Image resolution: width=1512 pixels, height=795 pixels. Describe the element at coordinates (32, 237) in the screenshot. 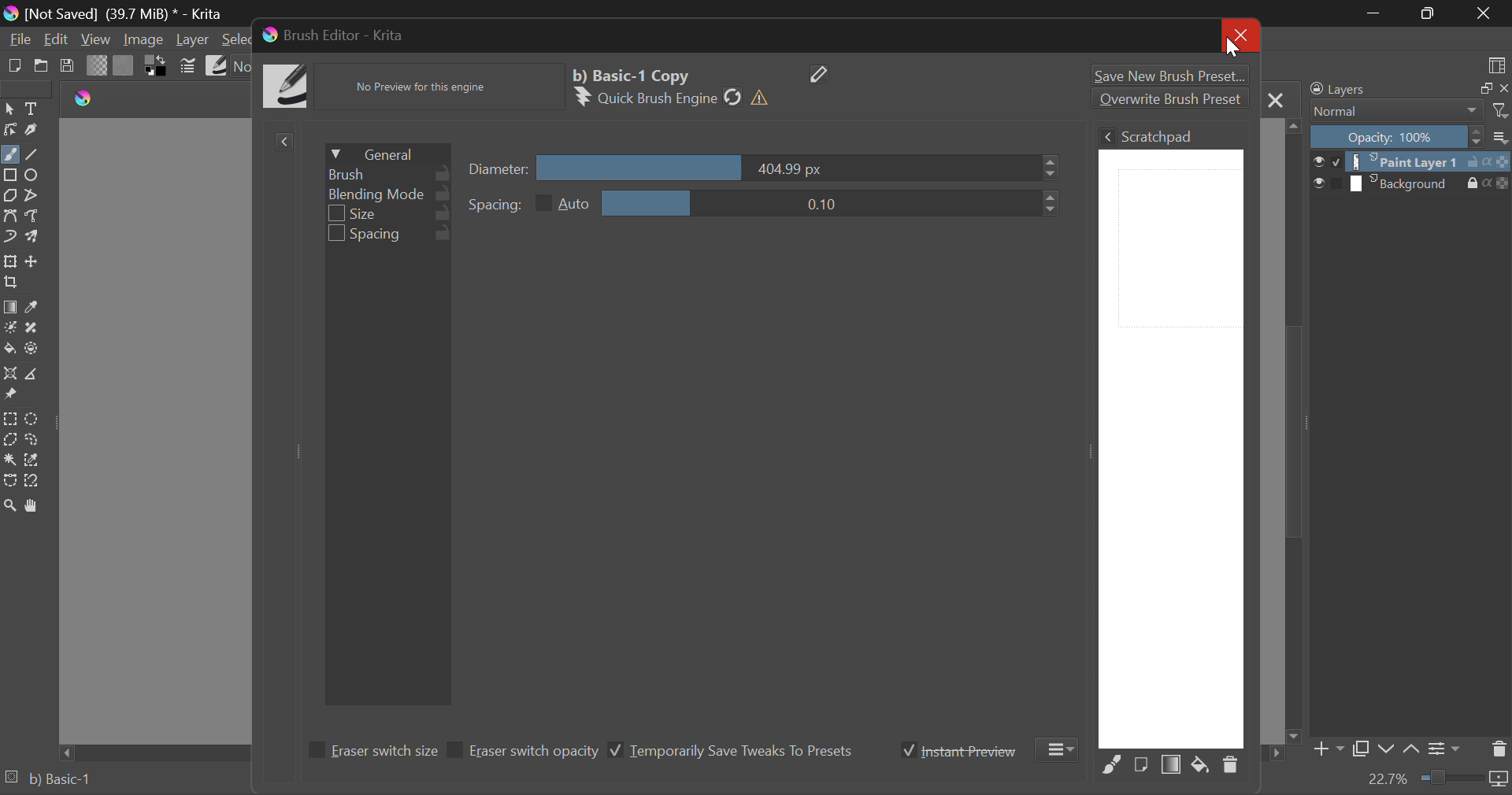

I see `Multibrush Tool` at that location.